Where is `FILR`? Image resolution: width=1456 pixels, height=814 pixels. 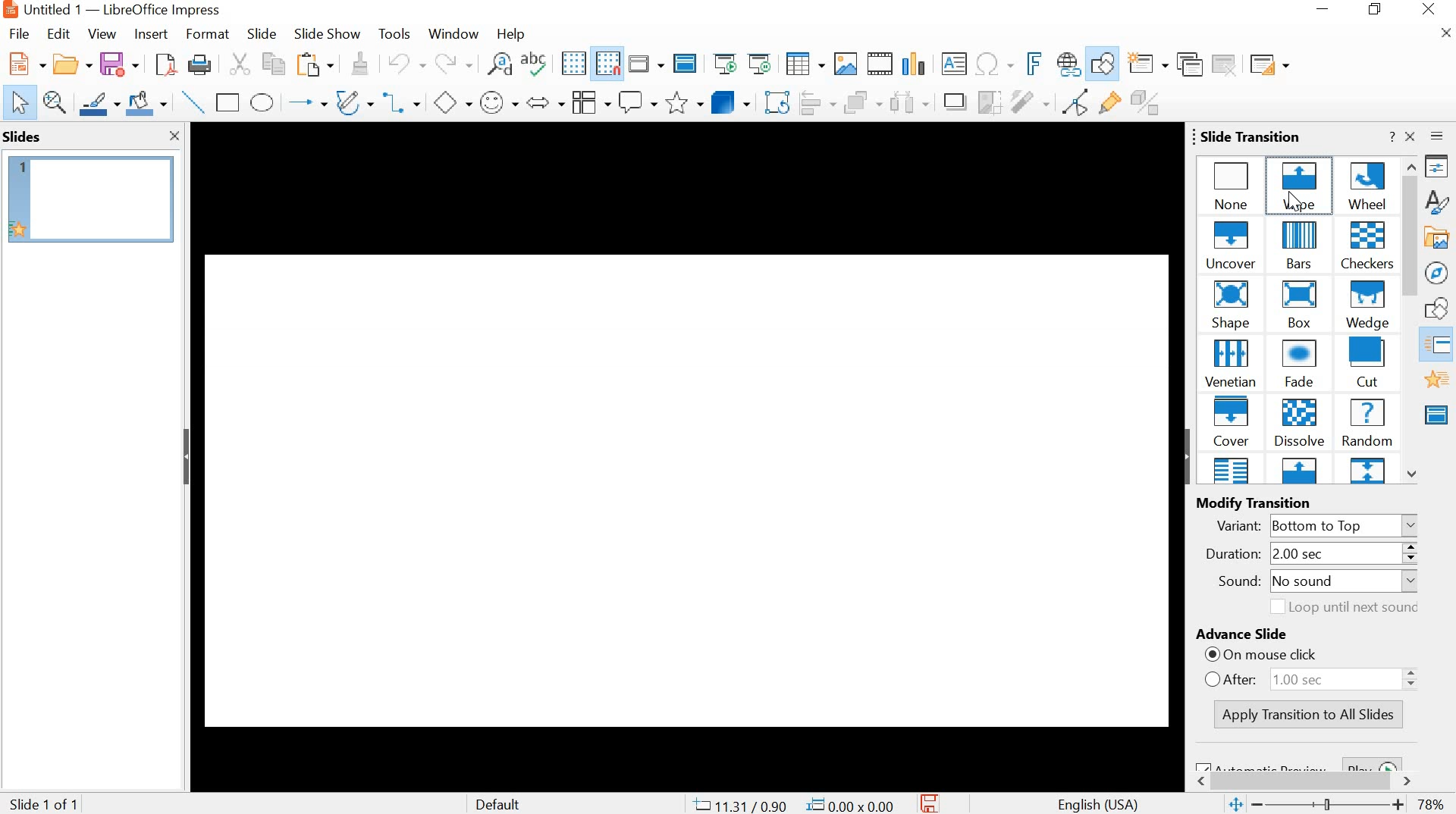 FILR is located at coordinates (21, 36).